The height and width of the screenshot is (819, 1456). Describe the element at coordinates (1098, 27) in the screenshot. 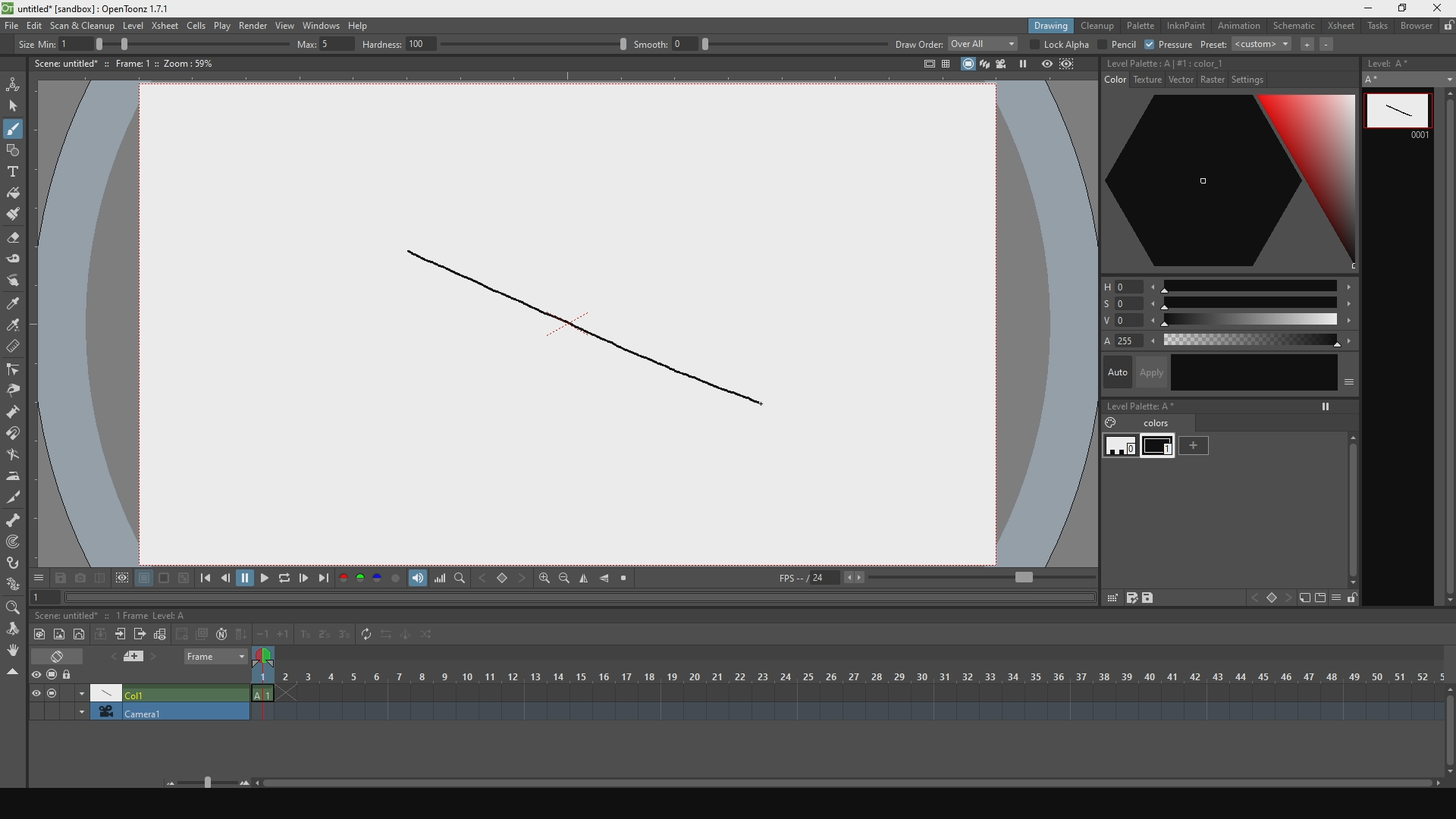

I see `cleanup` at that location.